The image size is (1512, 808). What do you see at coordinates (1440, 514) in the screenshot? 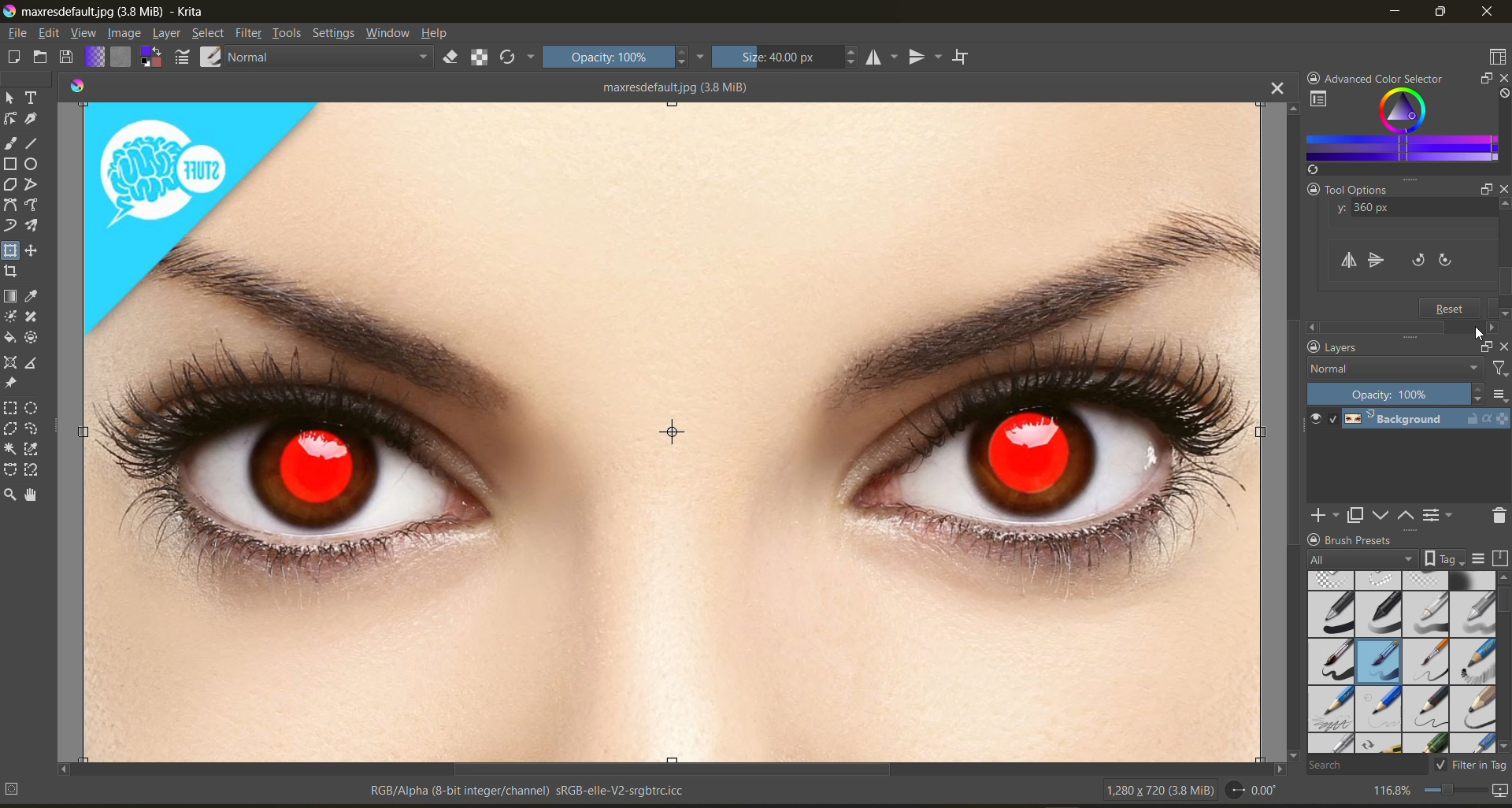
I see `view or change the layer properties` at bounding box center [1440, 514].